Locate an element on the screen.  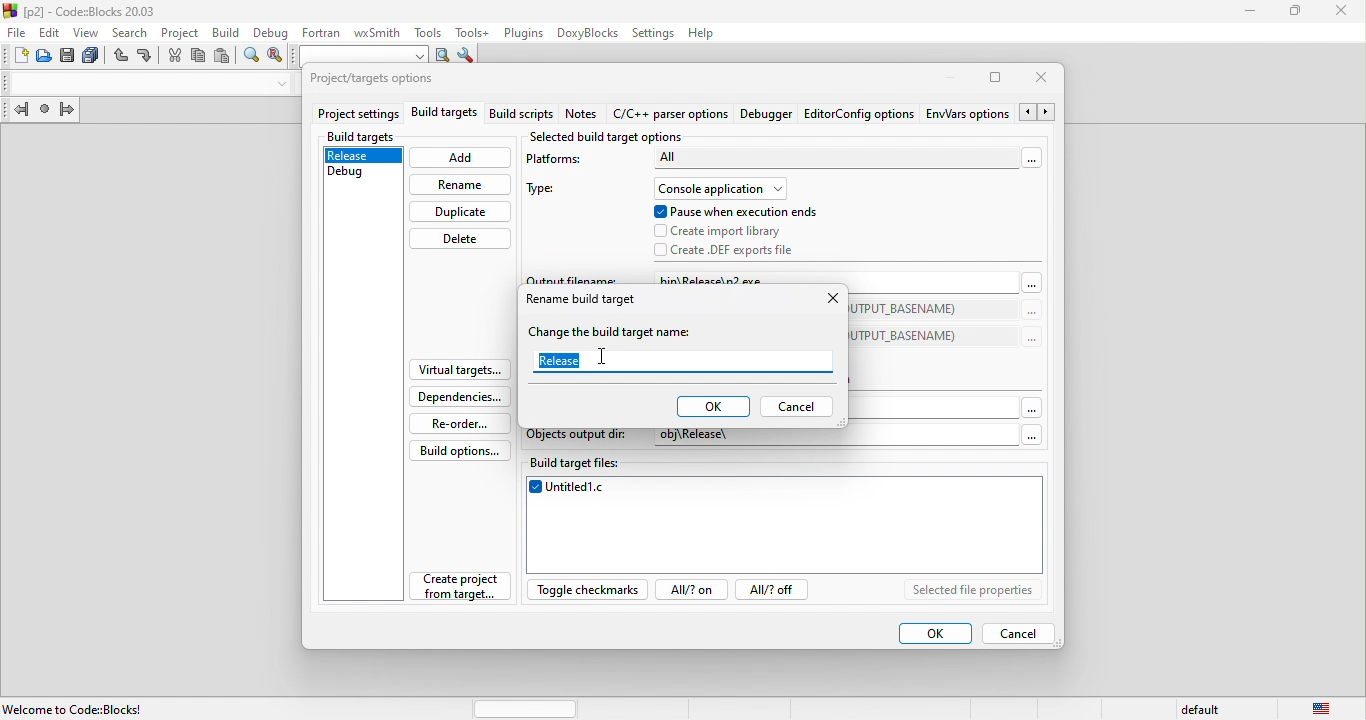
dependencies is located at coordinates (456, 396).